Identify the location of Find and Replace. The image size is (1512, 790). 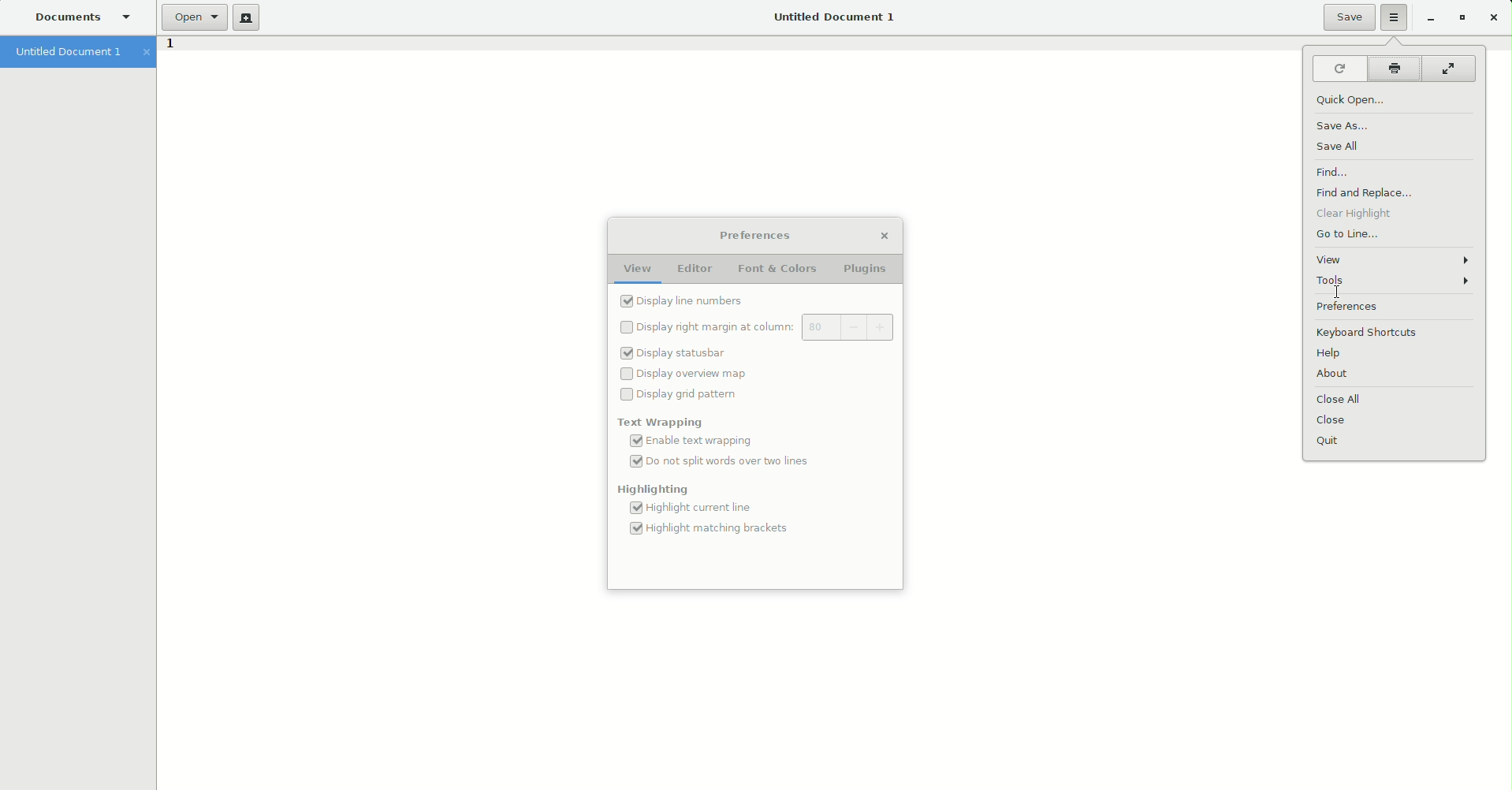
(1361, 192).